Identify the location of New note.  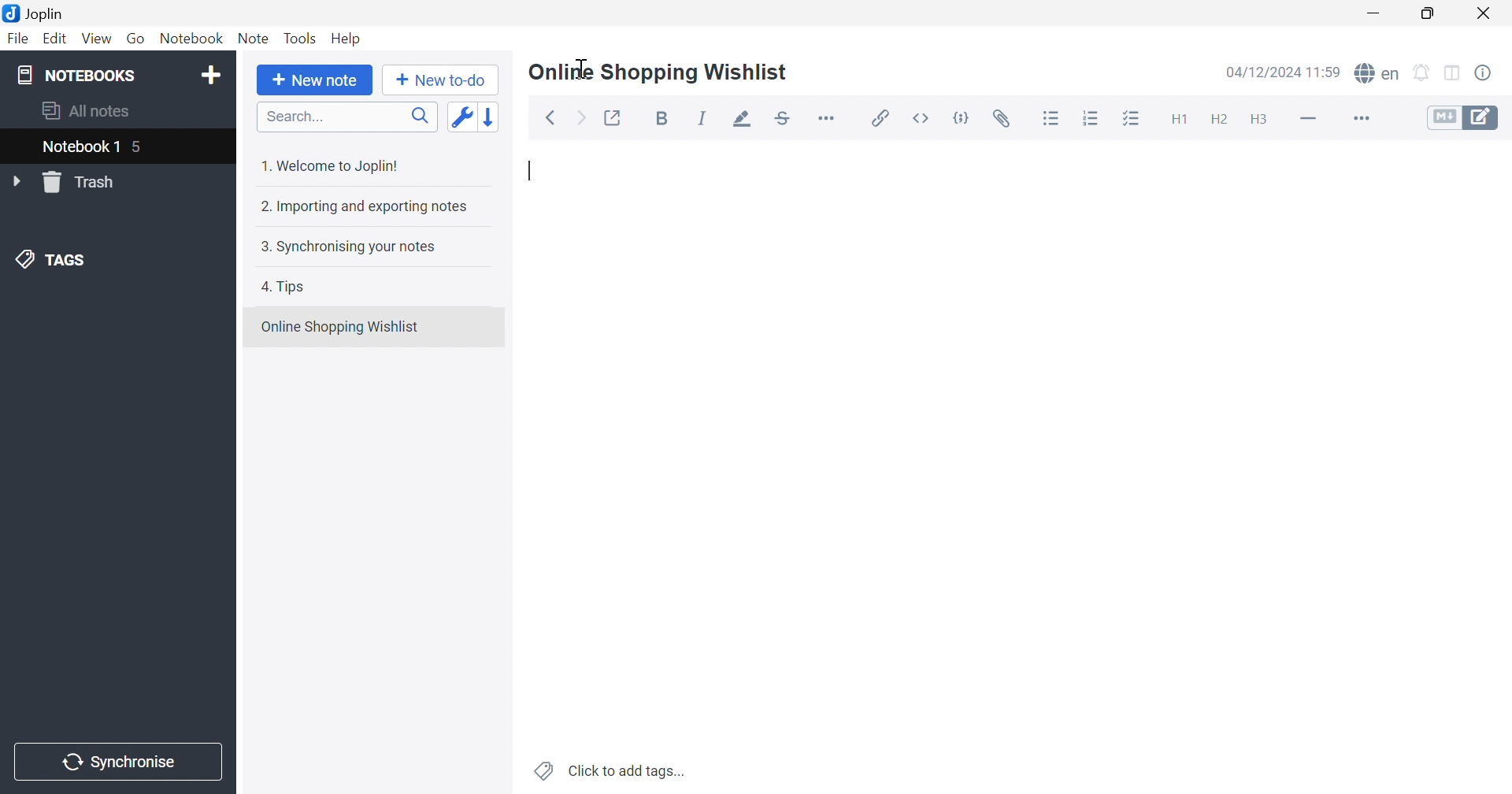
(319, 80).